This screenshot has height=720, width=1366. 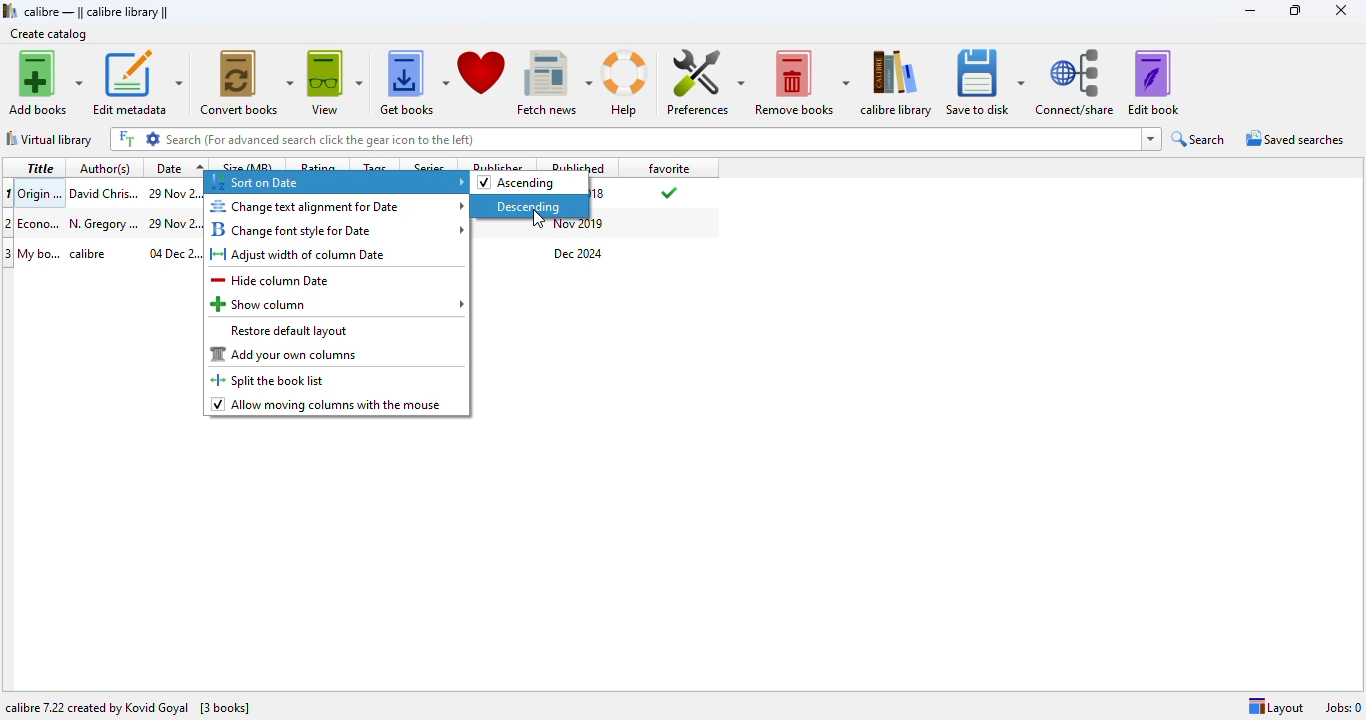 I want to click on date, so click(x=178, y=167).